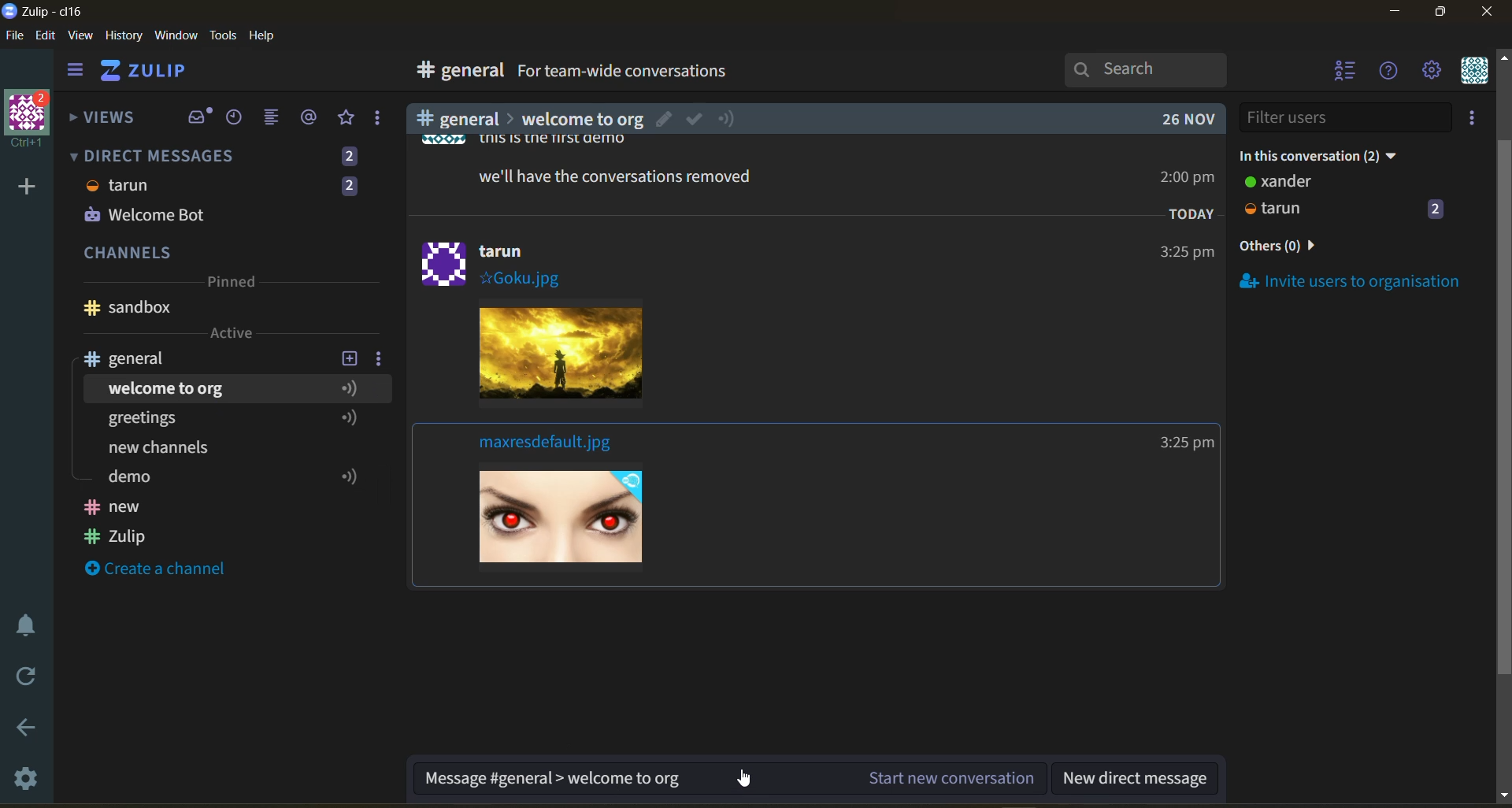 This screenshot has height=808, width=1512. Describe the element at coordinates (239, 119) in the screenshot. I see `recent conversations` at that location.